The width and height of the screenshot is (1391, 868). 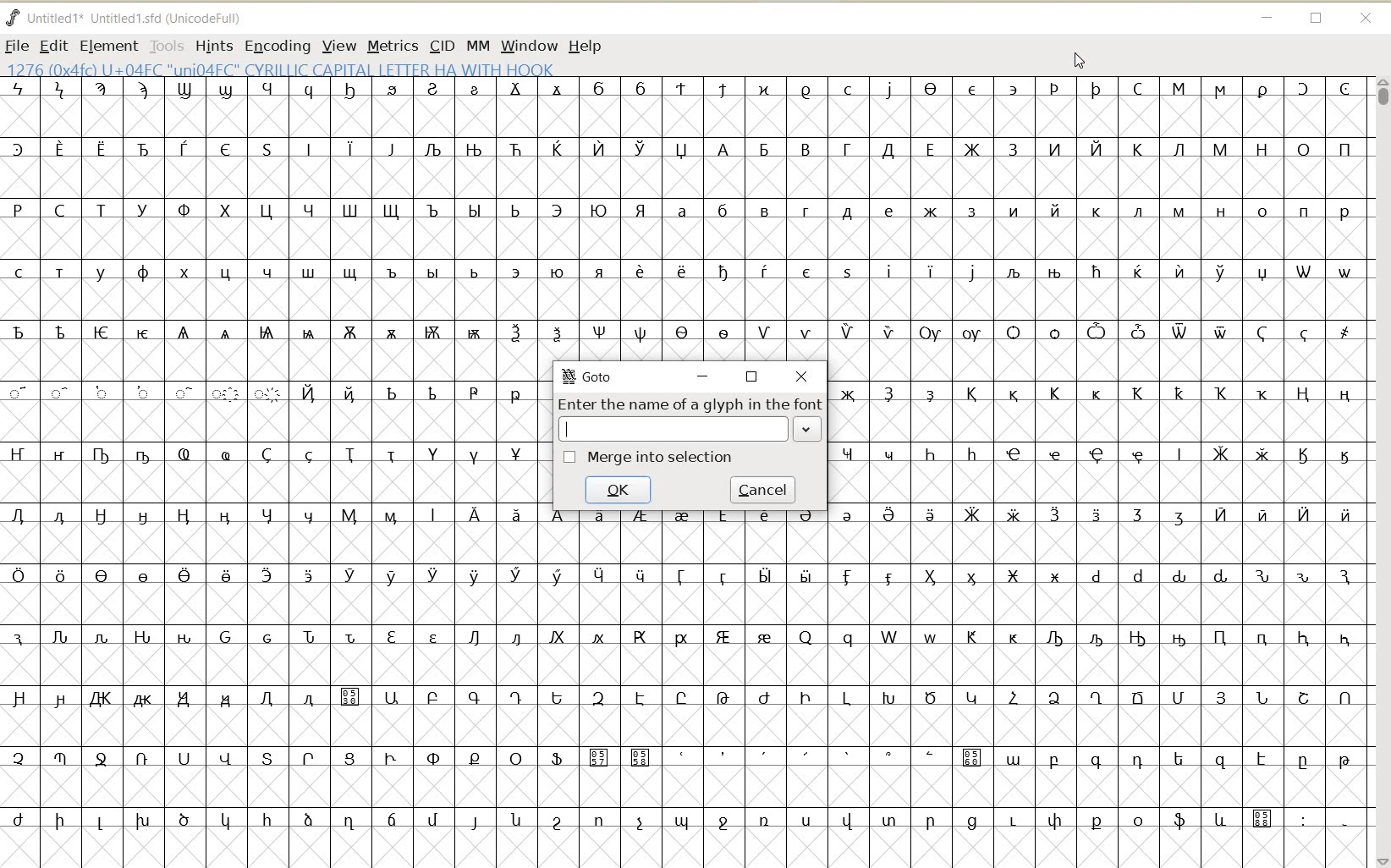 I want to click on GLYPHY INFO, so click(x=284, y=68).